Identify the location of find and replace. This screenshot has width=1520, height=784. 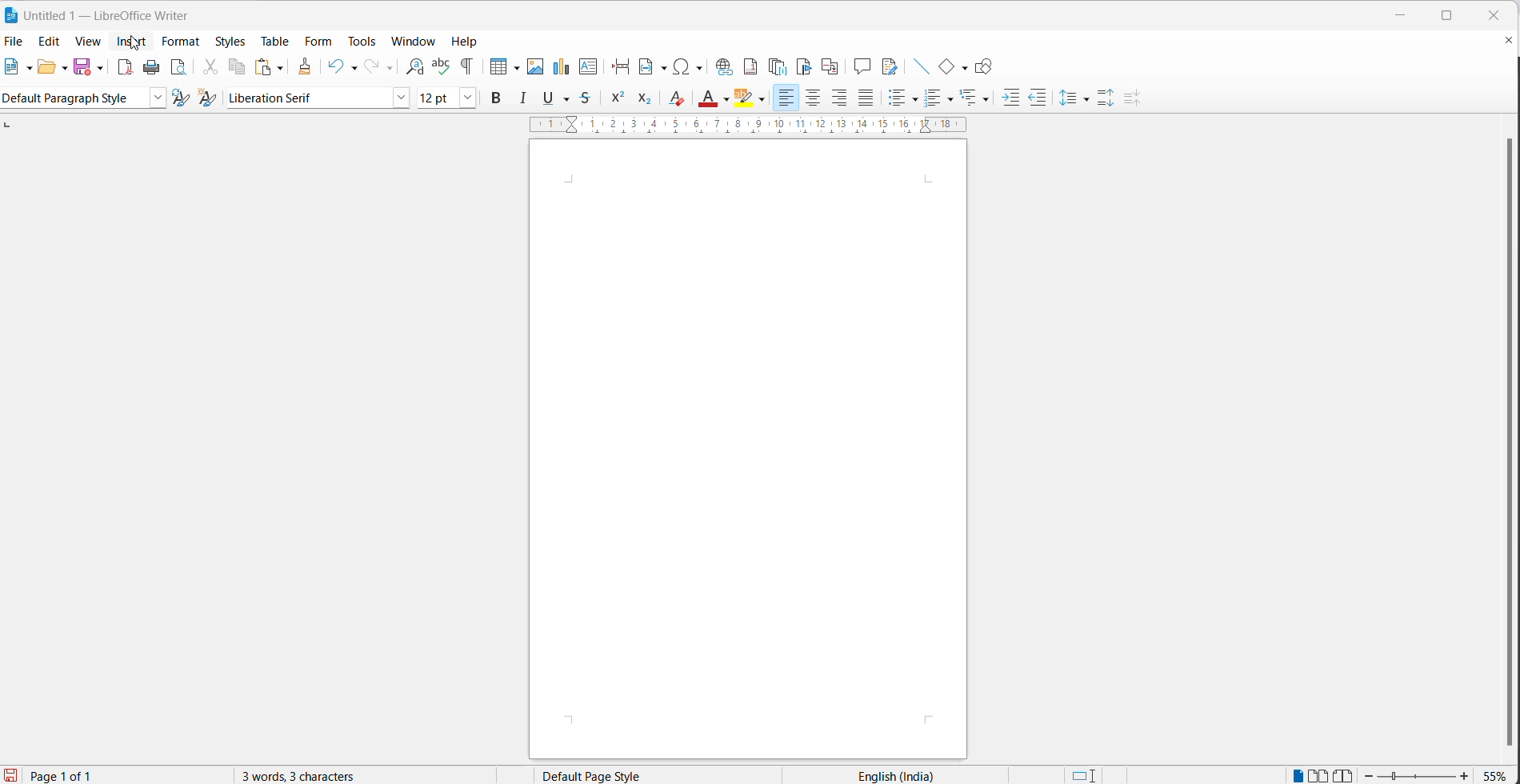
(414, 66).